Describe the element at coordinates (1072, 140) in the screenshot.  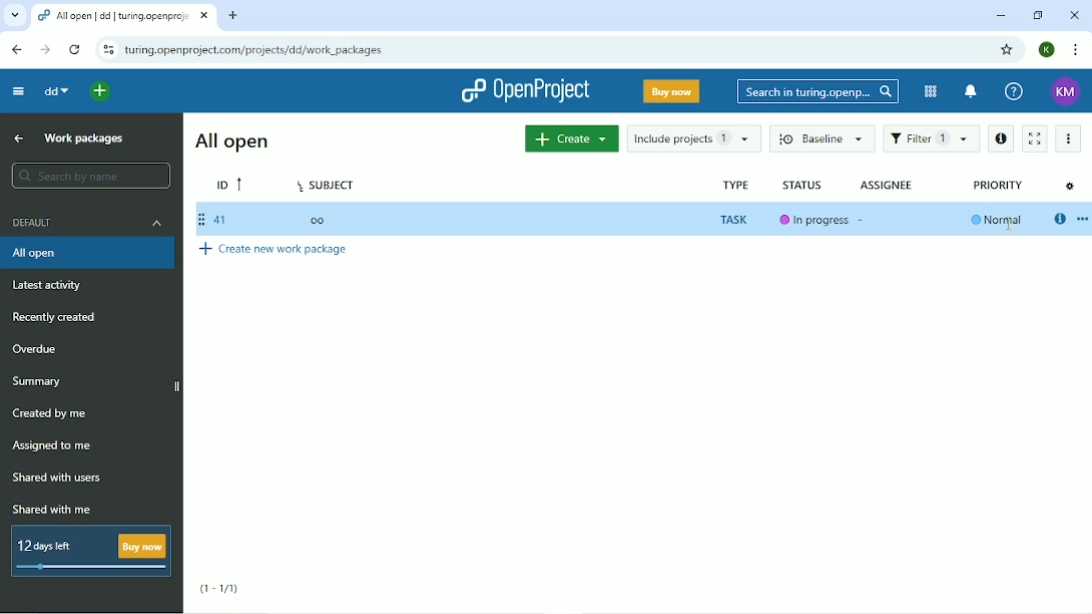
I see `More actions` at that location.